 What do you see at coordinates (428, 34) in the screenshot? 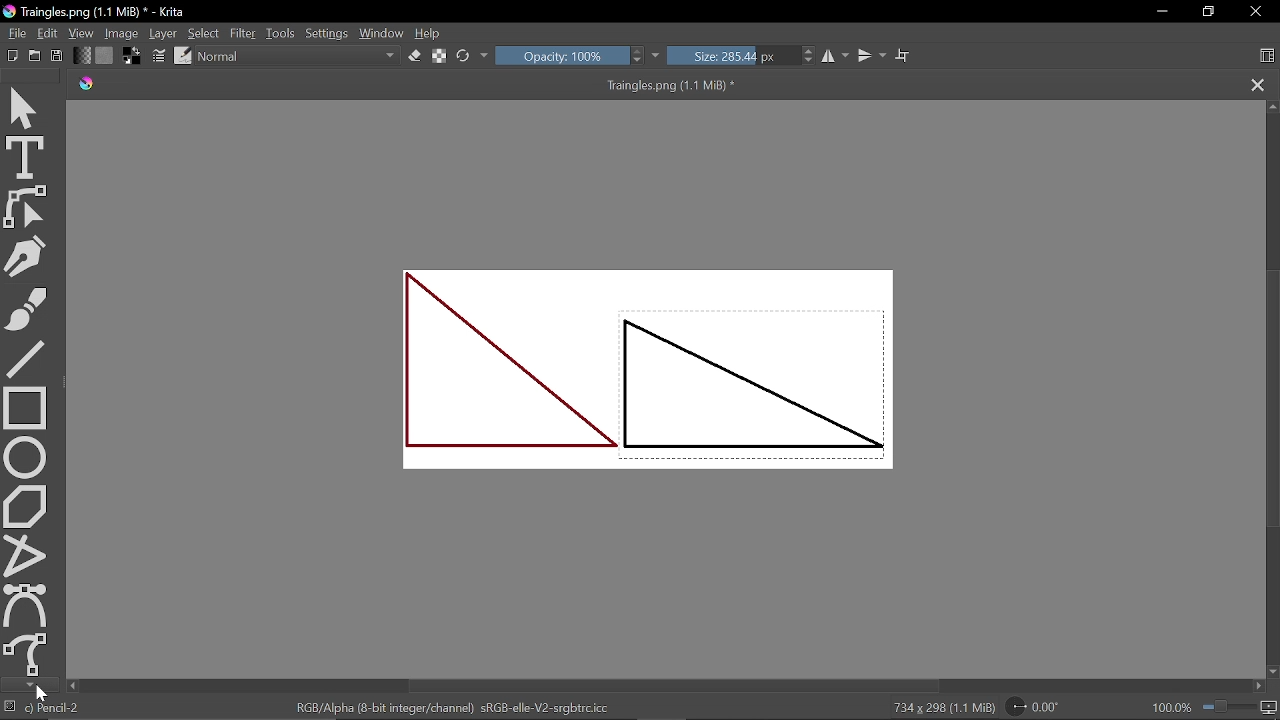
I see `Help` at bounding box center [428, 34].